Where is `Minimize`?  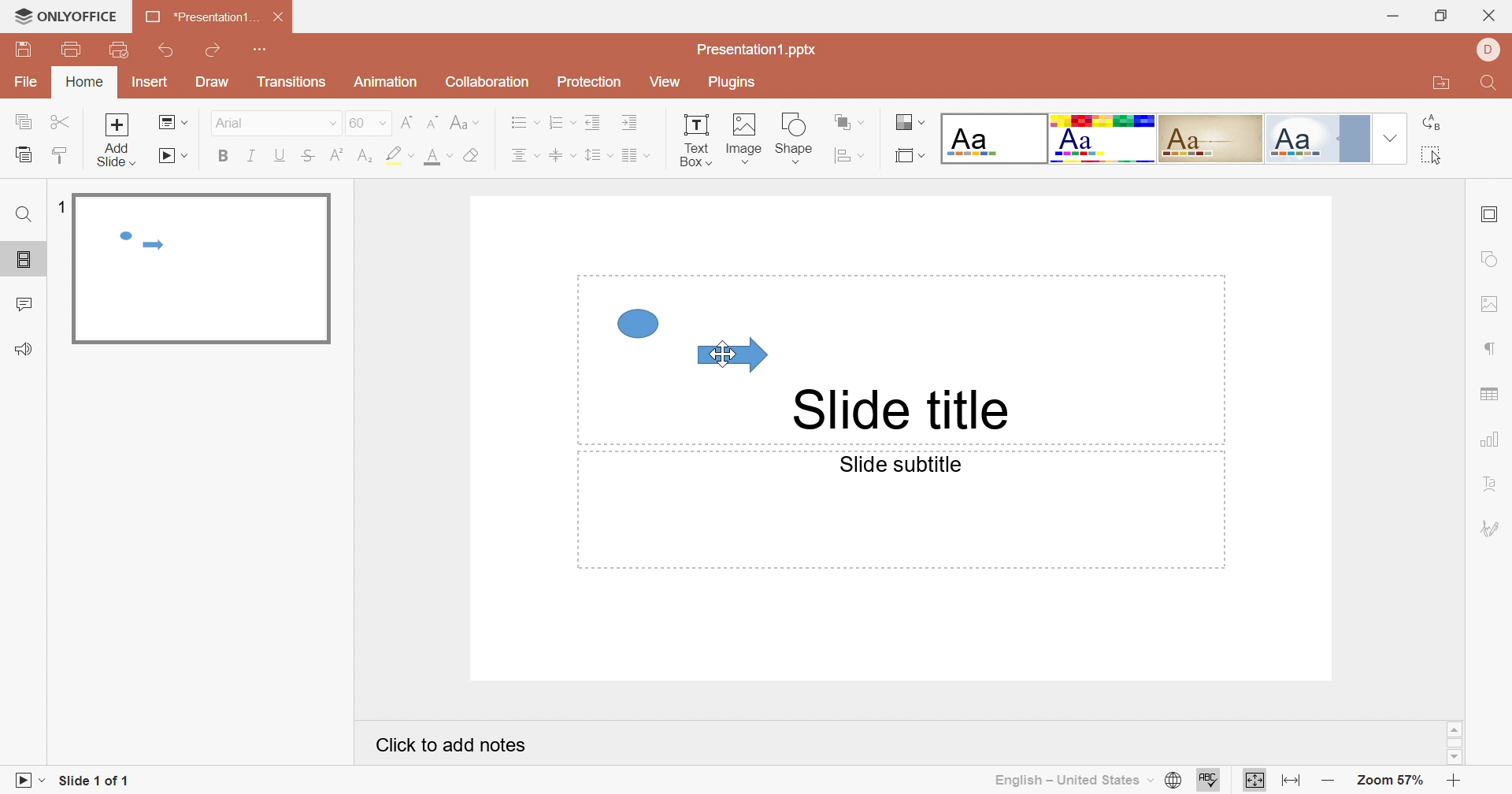 Minimize is located at coordinates (1390, 15).